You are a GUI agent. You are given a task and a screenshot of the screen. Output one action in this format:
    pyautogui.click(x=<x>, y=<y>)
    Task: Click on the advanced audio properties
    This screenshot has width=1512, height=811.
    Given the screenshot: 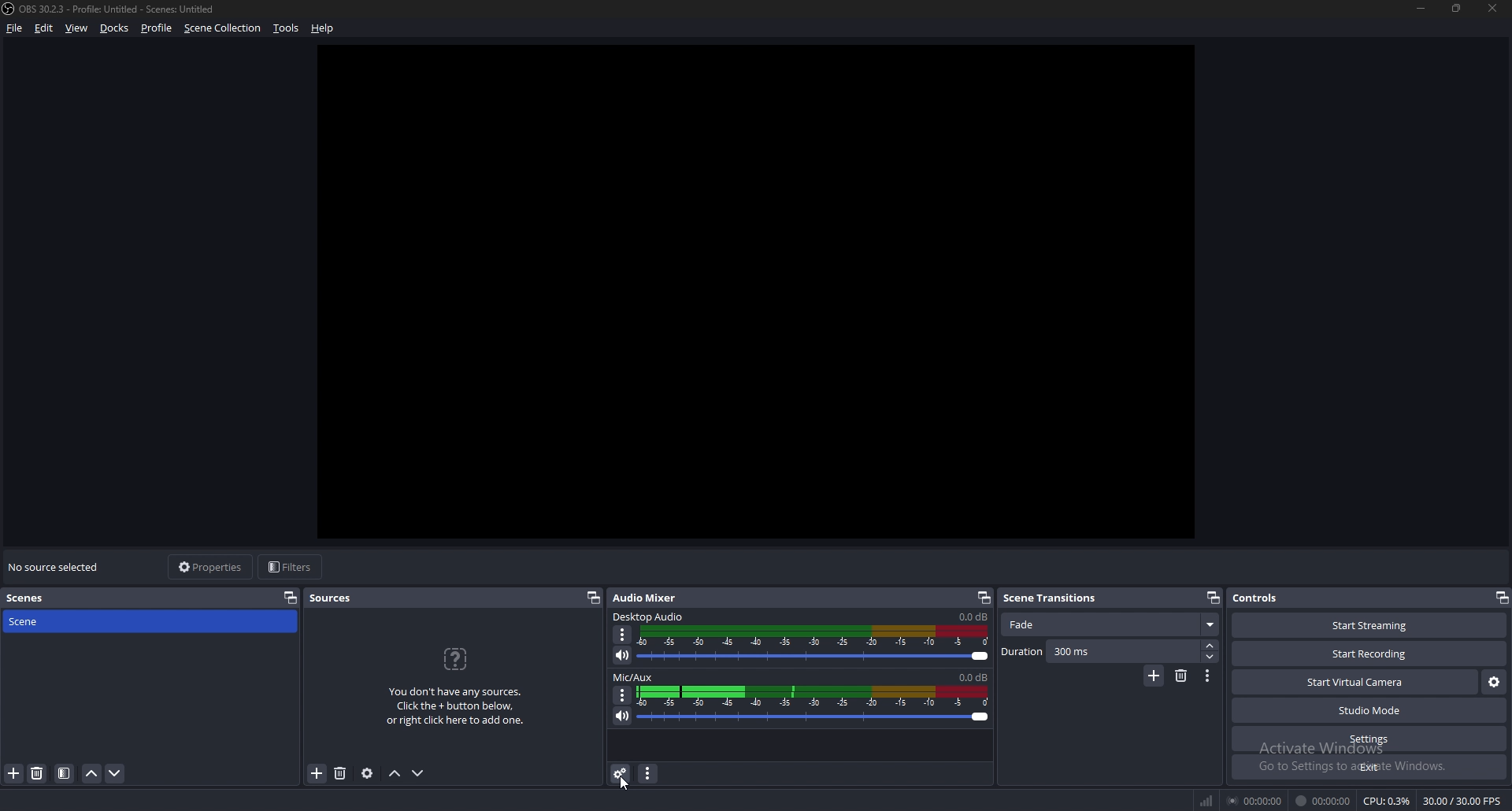 What is the action you would take?
    pyautogui.click(x=621, y=773)
    